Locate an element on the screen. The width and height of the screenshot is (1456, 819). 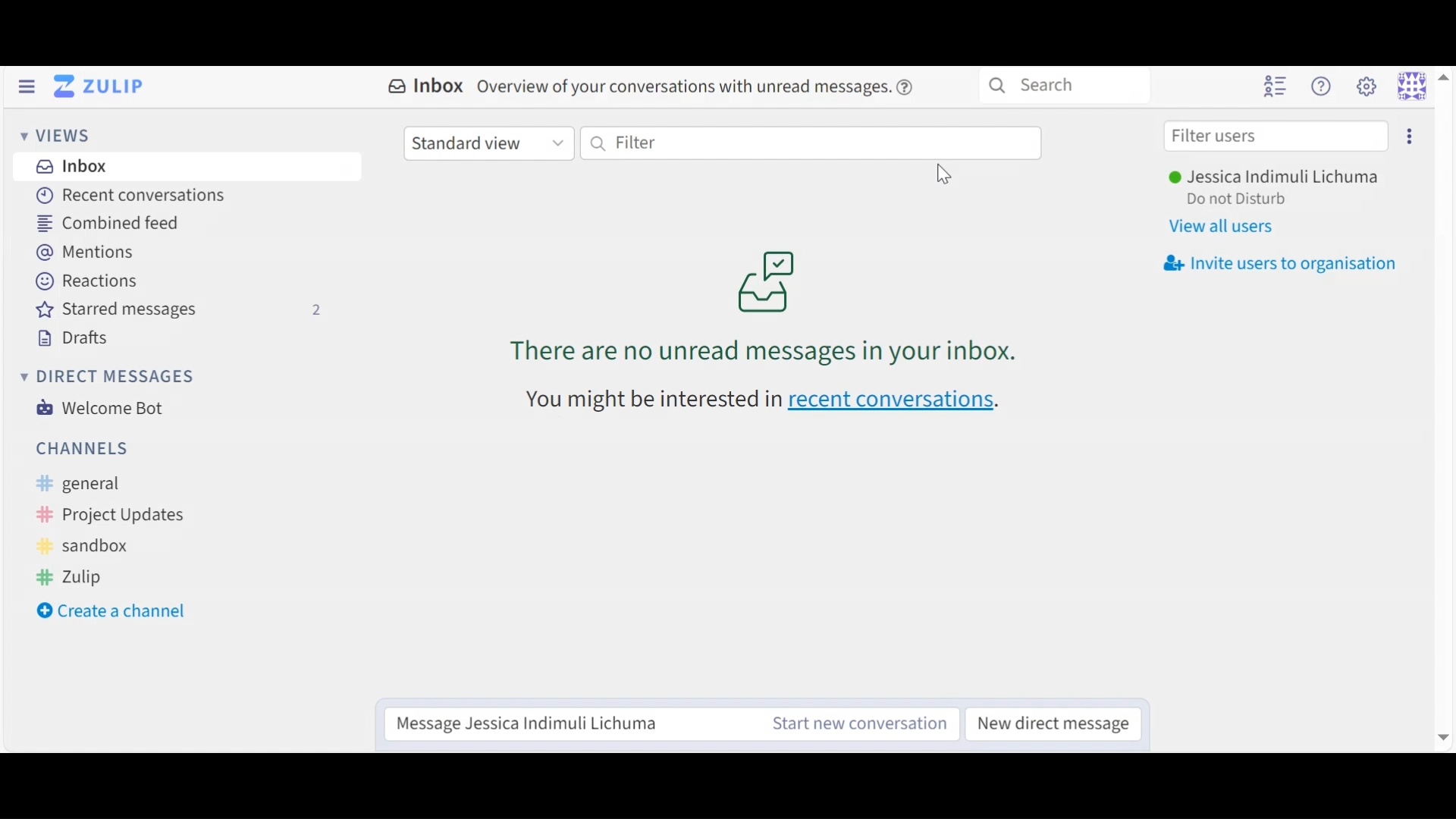
cursor is located at coordinates (940, 171).